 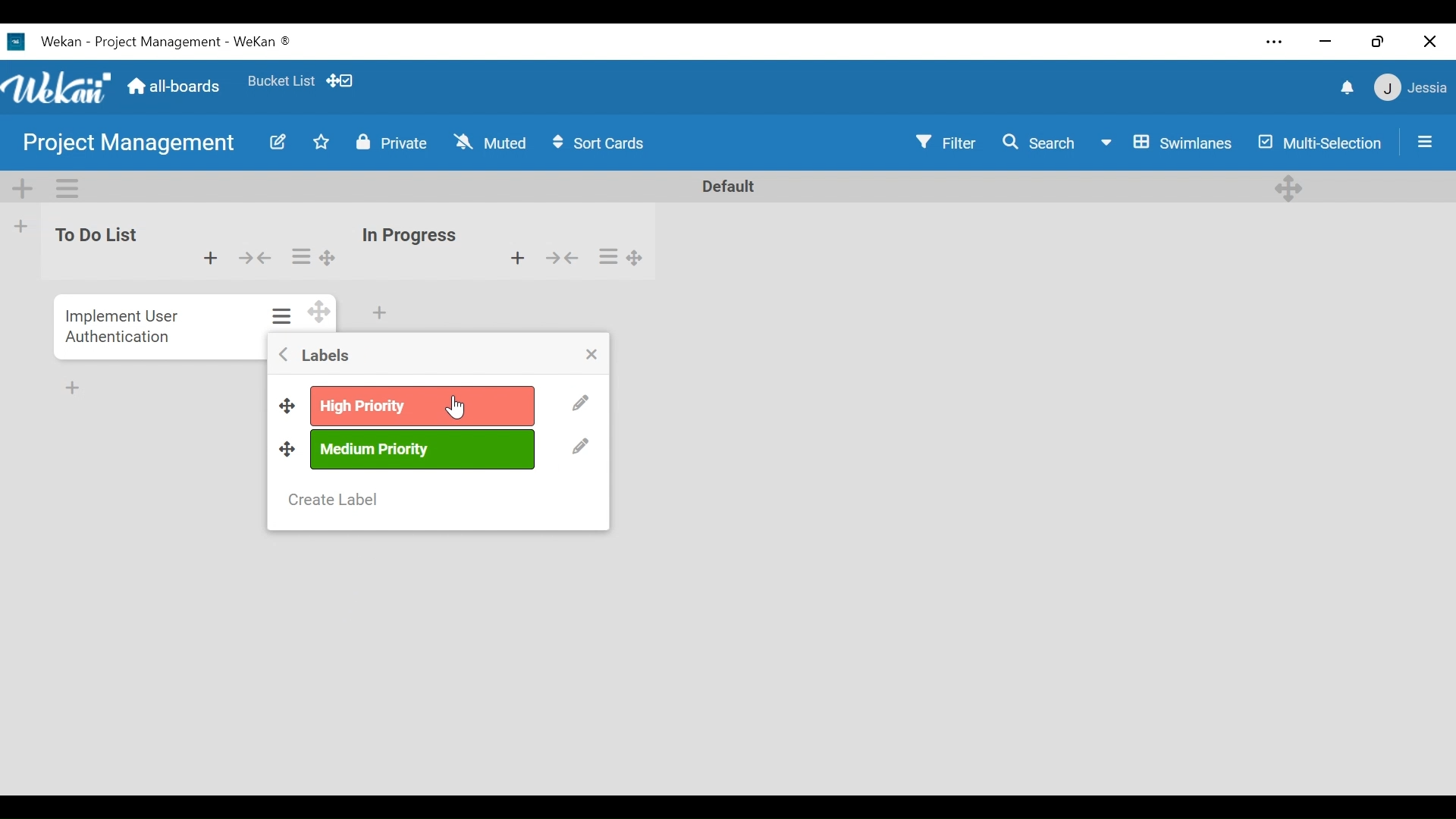 What do you see at coordinates (169, 42) in the screenshot?
I see `Wekan - Project Management - WeKan ®` at bounding box center [169, 42].